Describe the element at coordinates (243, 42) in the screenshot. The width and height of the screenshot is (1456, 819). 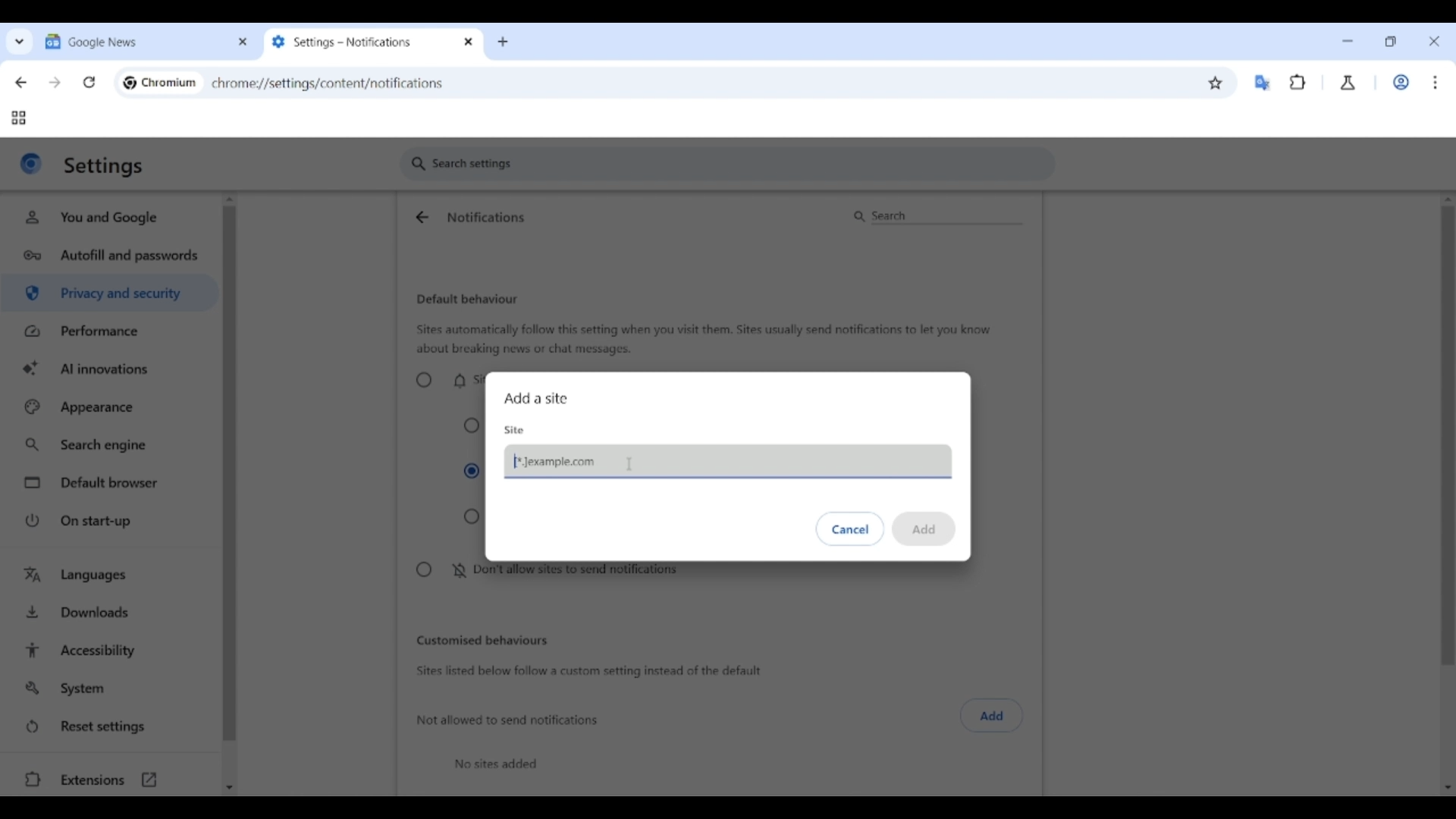
I see `Close tab 1` at that location.